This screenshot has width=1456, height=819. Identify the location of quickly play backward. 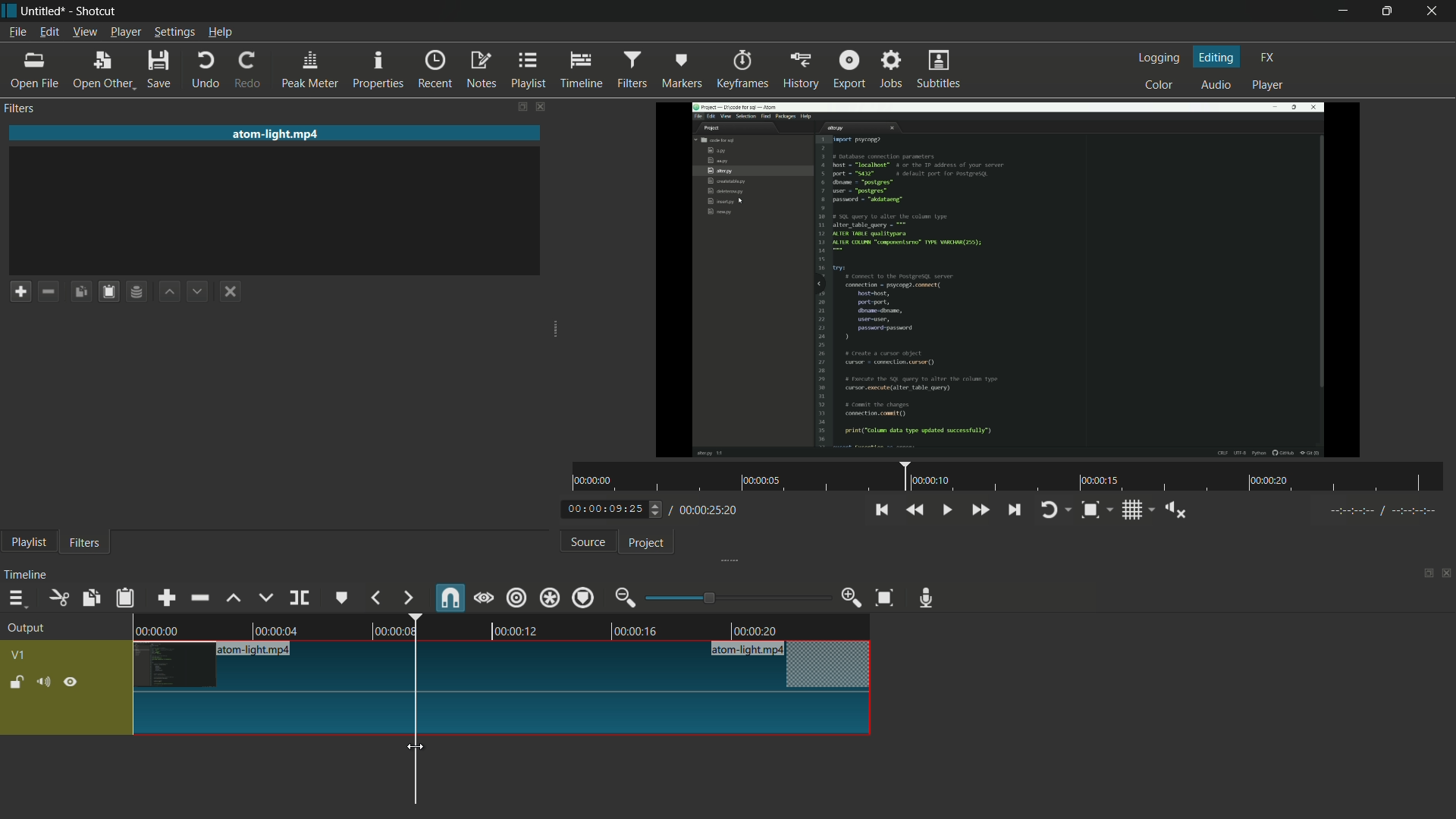
(916, 510).